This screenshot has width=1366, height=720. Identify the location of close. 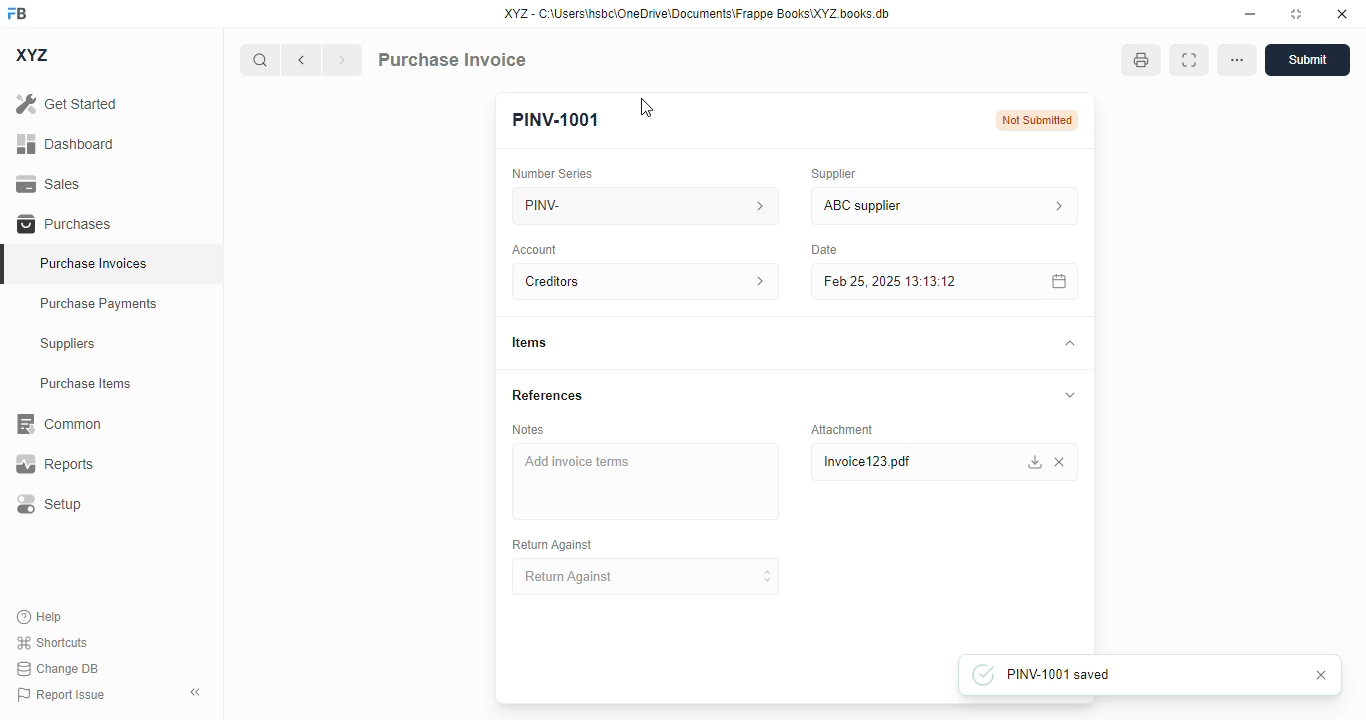
(1342, 13).